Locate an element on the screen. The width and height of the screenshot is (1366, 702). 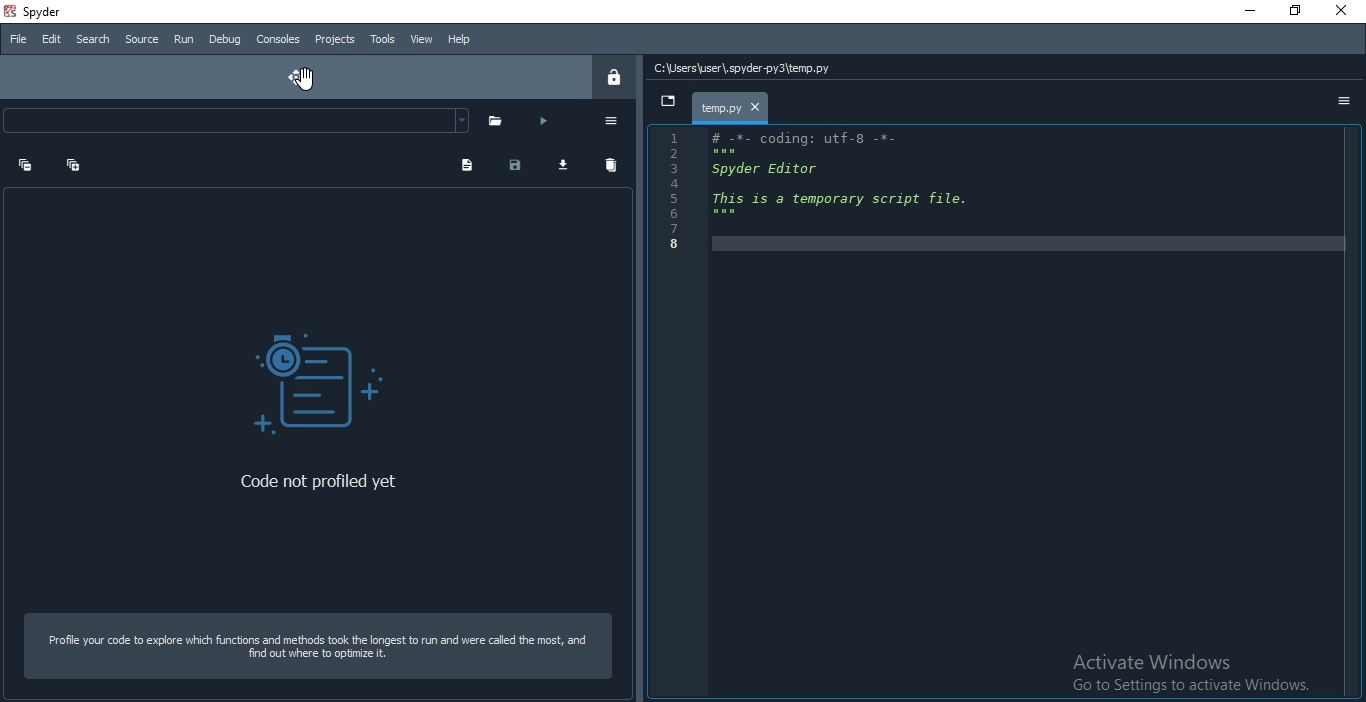
File  is located at coordinates (17, 39).